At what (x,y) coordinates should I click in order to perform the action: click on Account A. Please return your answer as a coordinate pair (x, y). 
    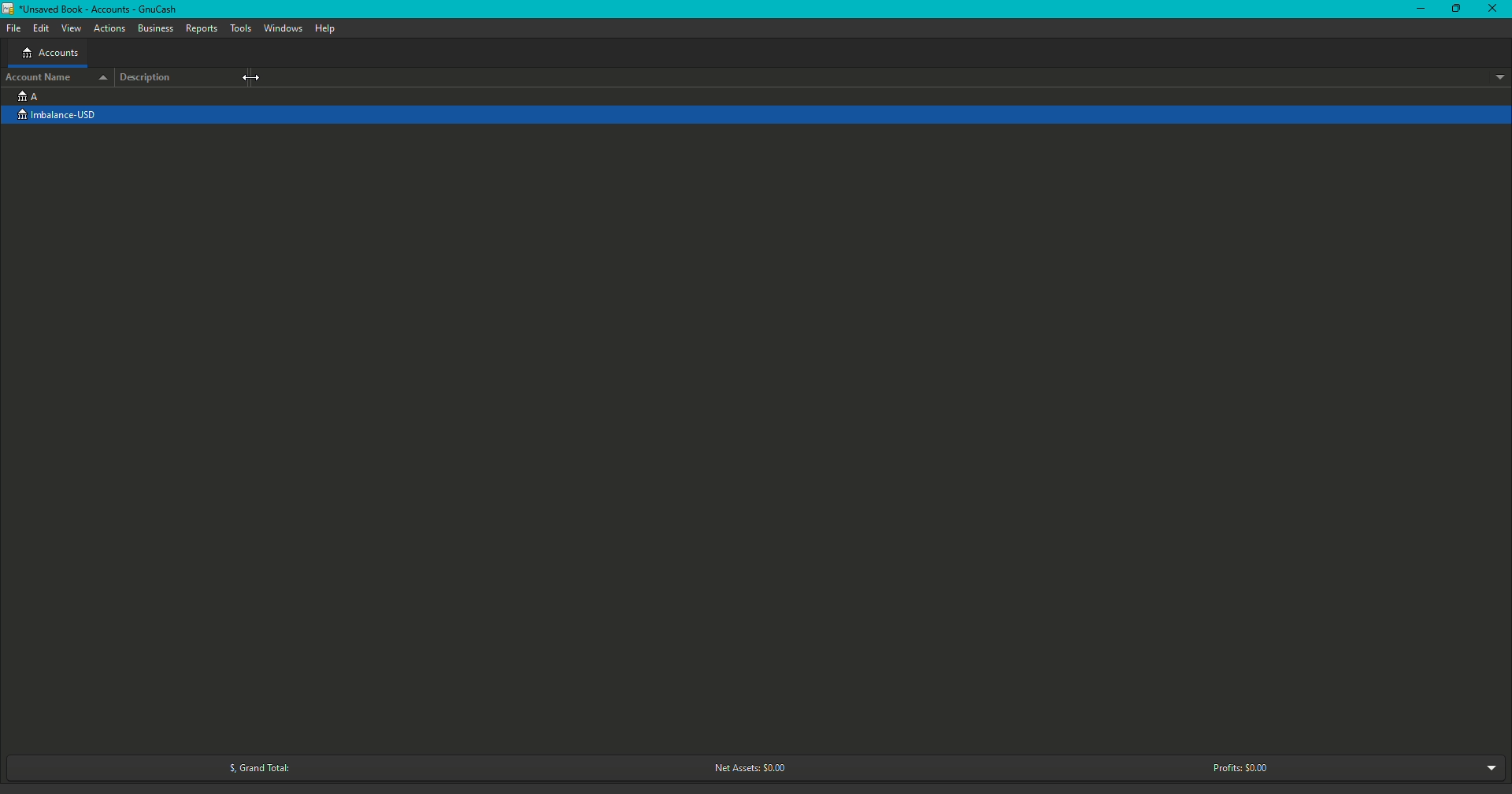
    Looking at the image, I should click on (28, 95).